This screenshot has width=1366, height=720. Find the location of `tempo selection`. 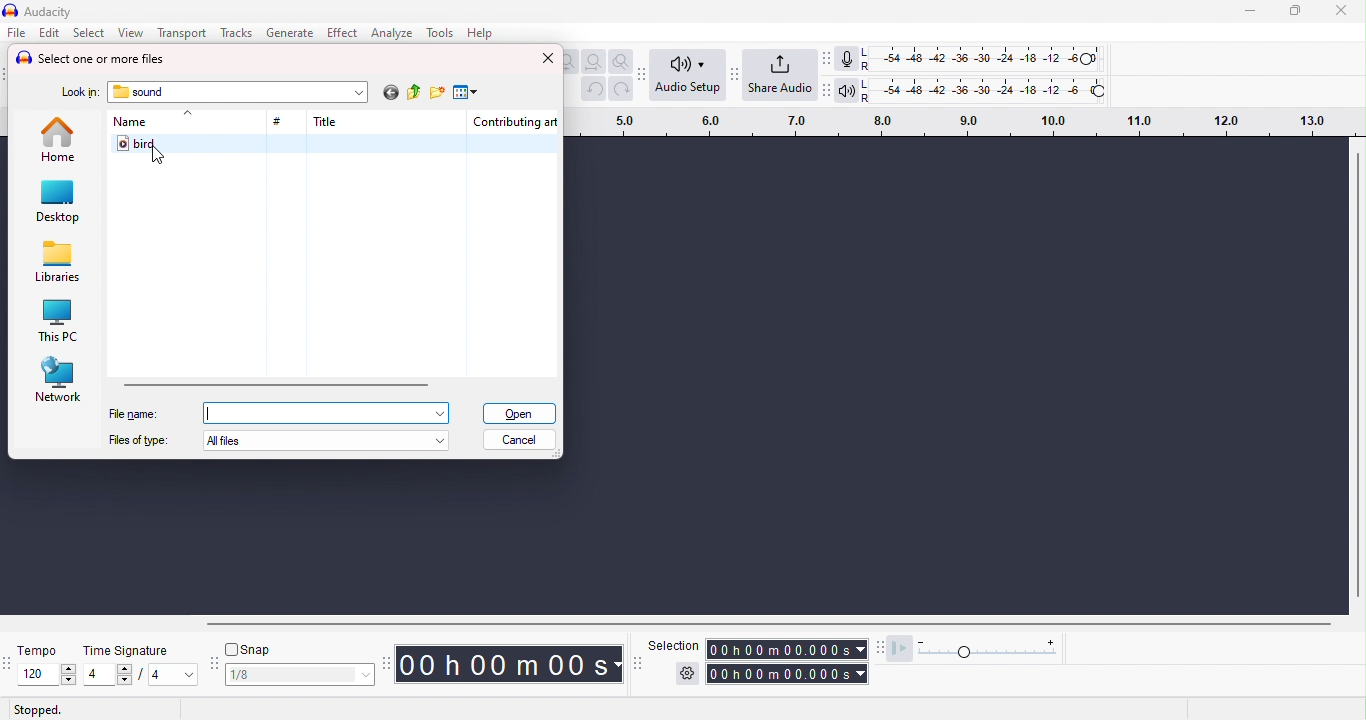

tempo selection is located at coordinates (39, 674).